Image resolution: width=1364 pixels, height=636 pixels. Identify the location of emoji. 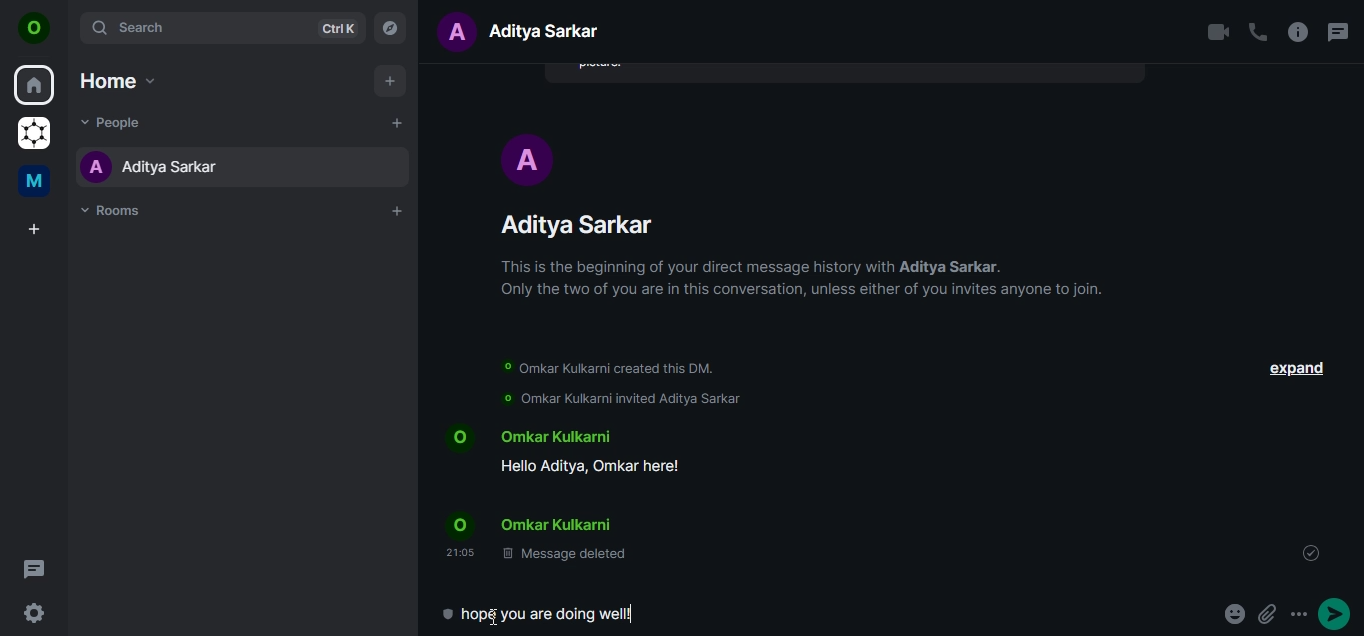
(1236, 613).